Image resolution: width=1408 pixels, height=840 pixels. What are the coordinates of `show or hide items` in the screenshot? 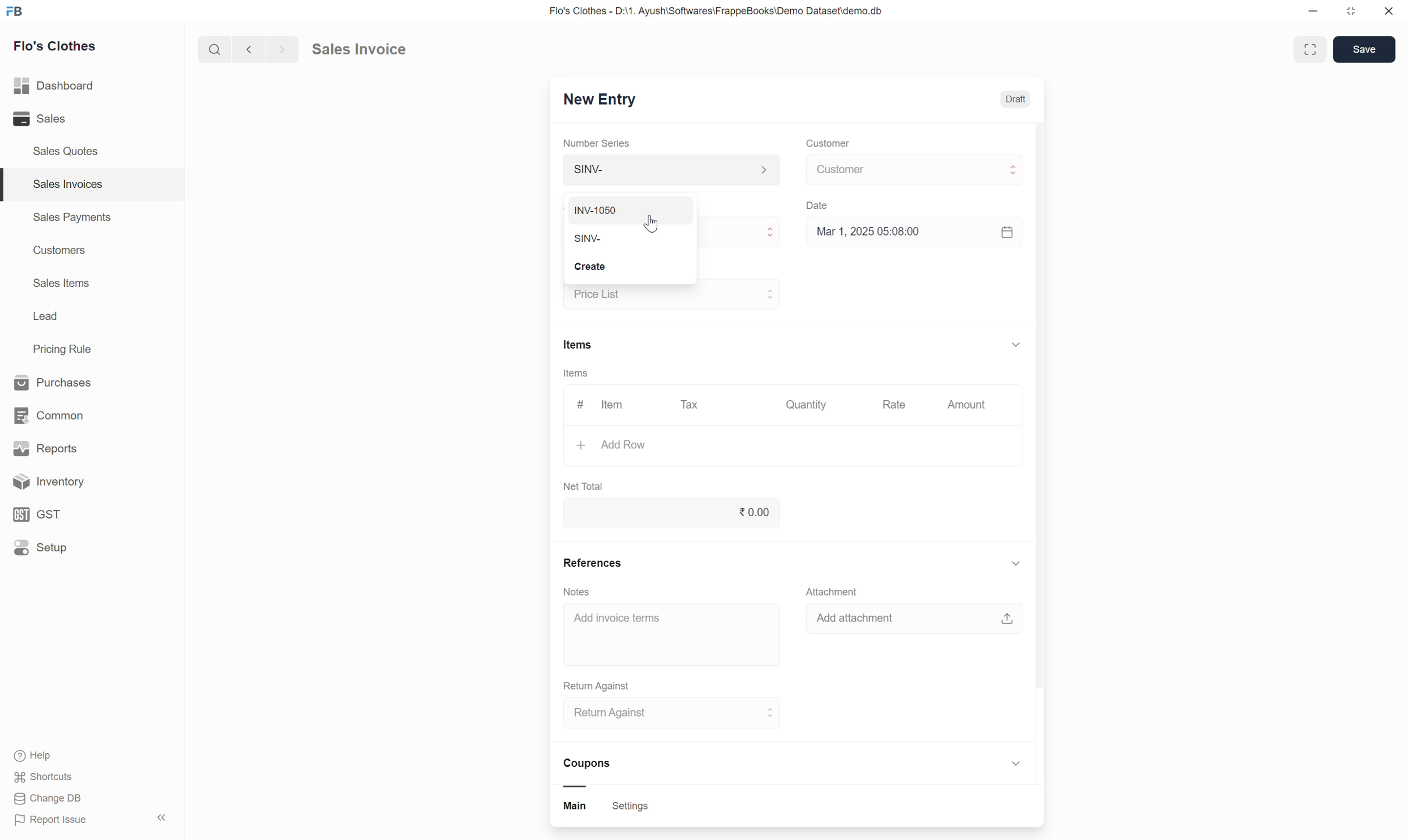 It's located at (1016, 342).